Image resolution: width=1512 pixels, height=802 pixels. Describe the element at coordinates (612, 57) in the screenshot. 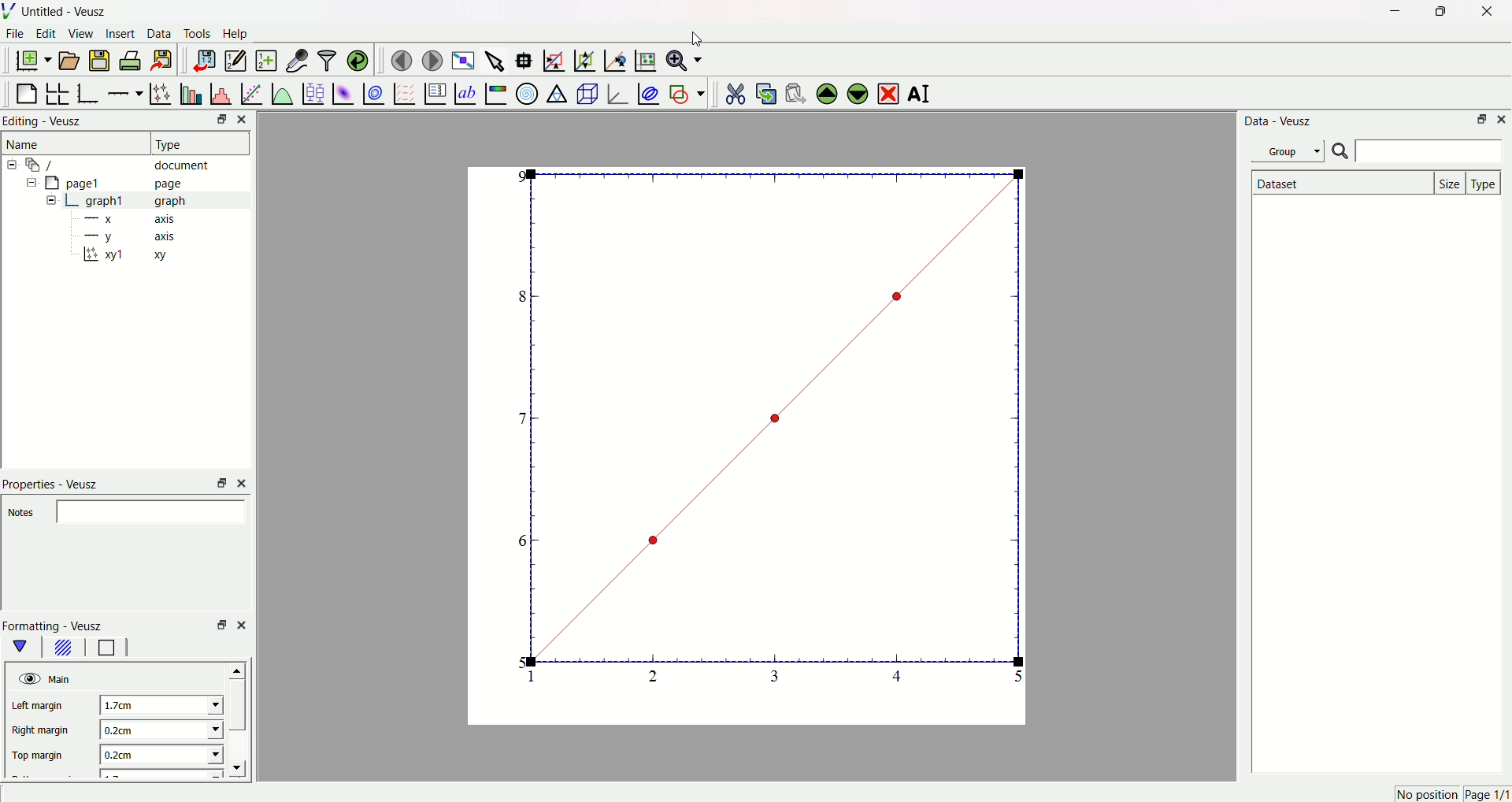

I see `recenter the graph axes` at that location.